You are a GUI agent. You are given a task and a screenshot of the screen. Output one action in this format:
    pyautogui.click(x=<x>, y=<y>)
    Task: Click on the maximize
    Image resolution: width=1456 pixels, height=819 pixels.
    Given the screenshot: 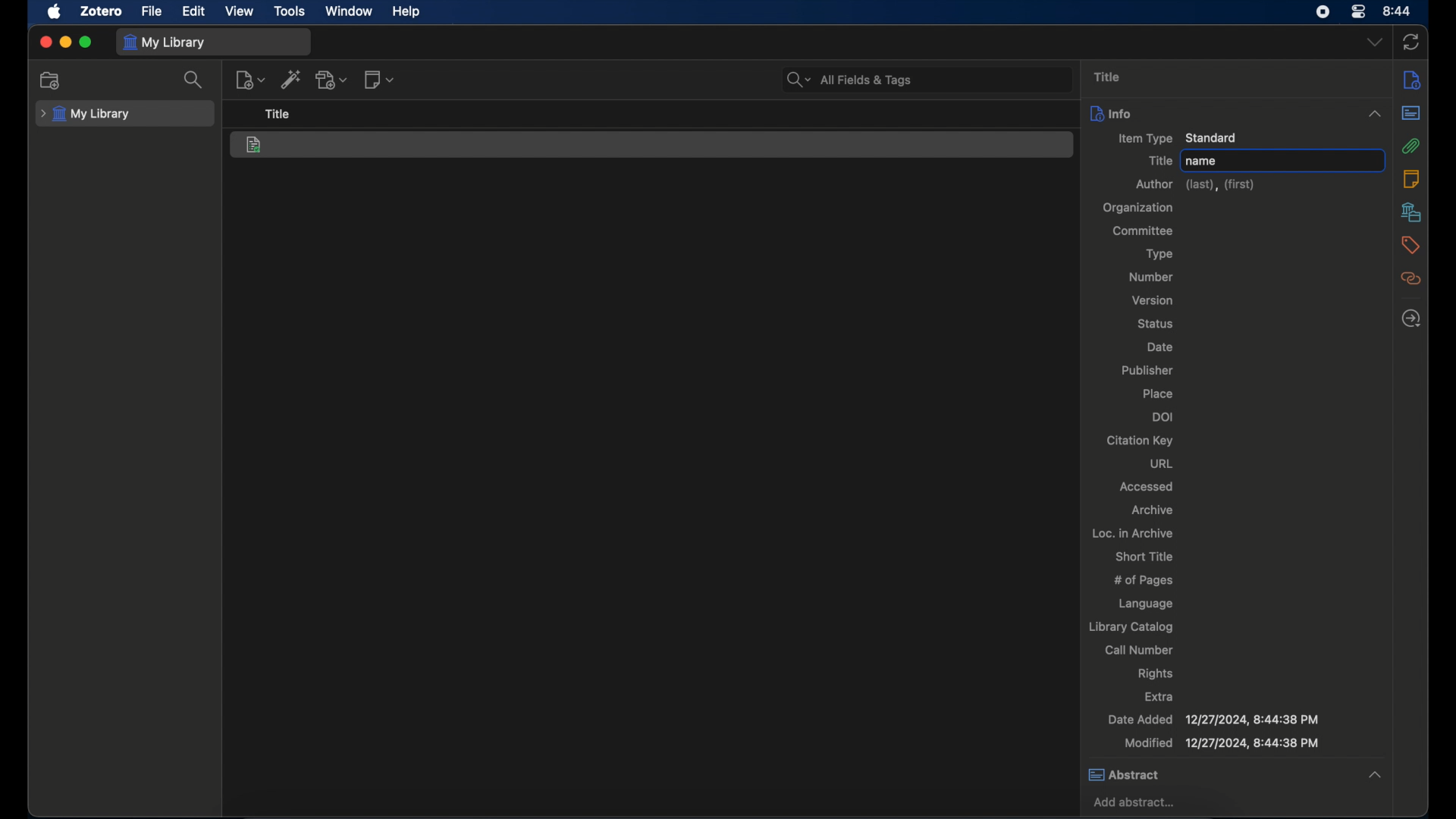 What is the action you would take?
    pyautogui.click(x=86, y=43)
    